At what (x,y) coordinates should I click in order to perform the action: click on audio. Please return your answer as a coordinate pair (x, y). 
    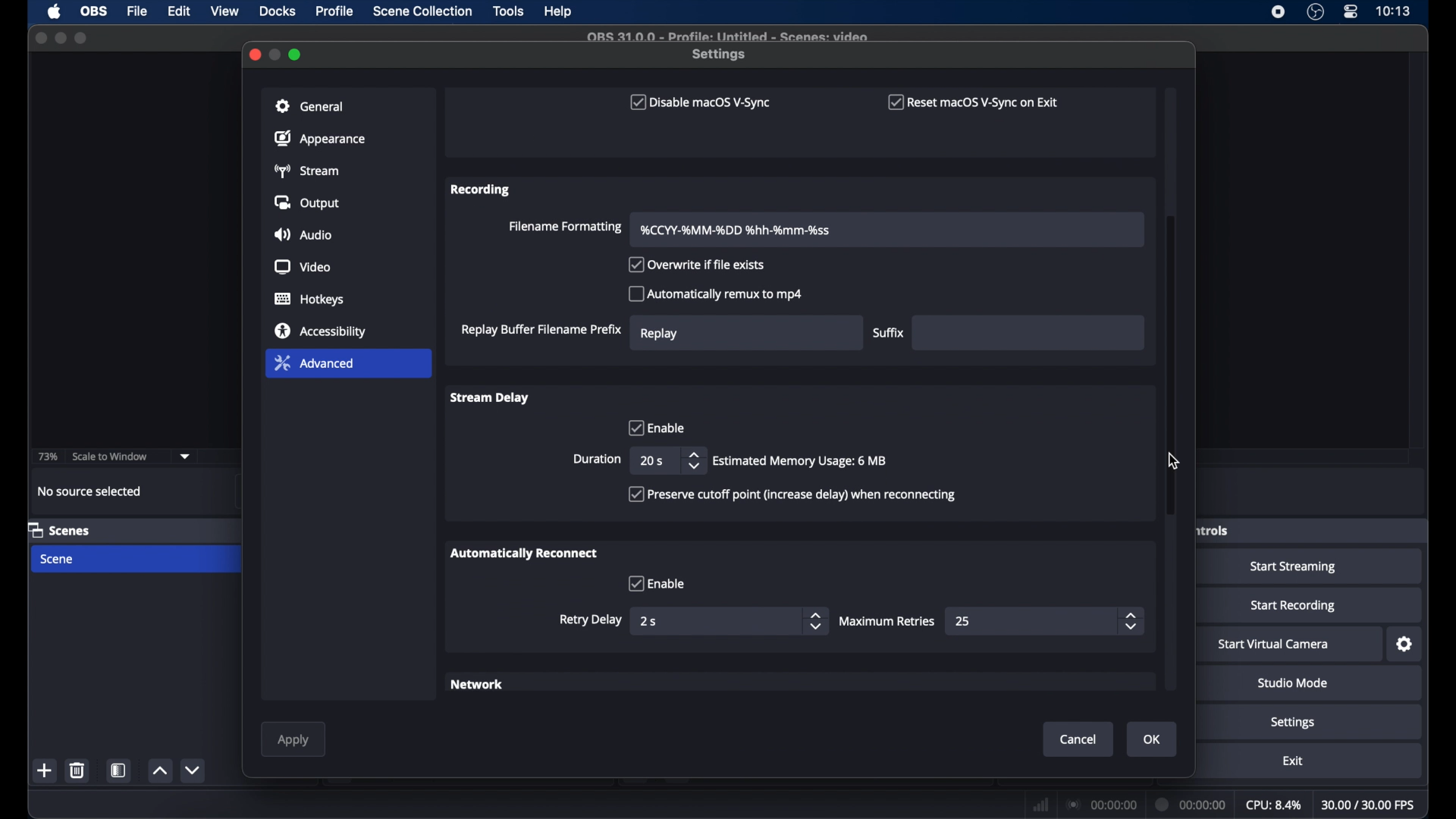
    Looking at the image, I should click on (302, 236).